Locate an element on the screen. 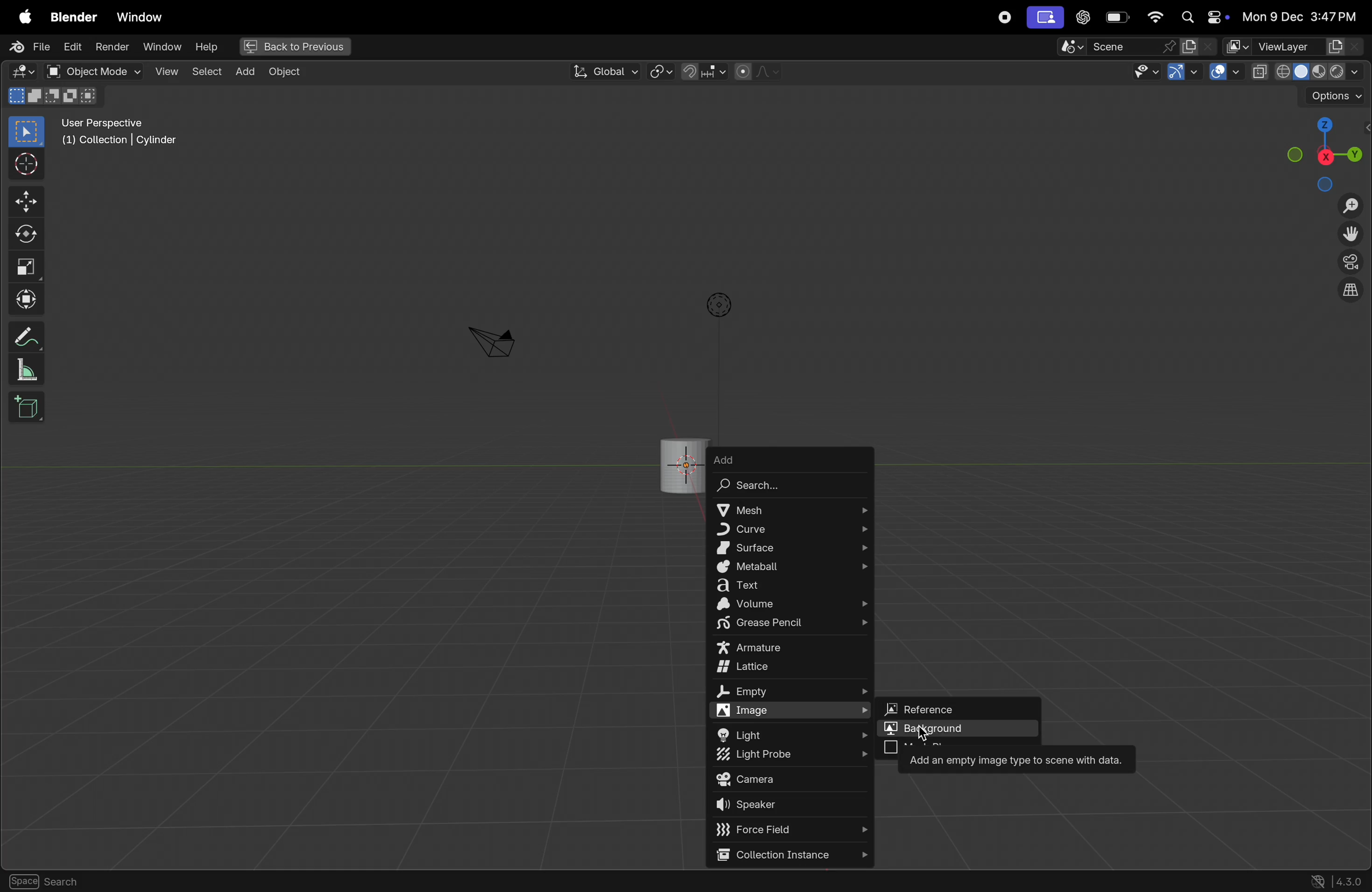 This screenshot has height=892, width=1372. move is located at coordinates (24, 202).